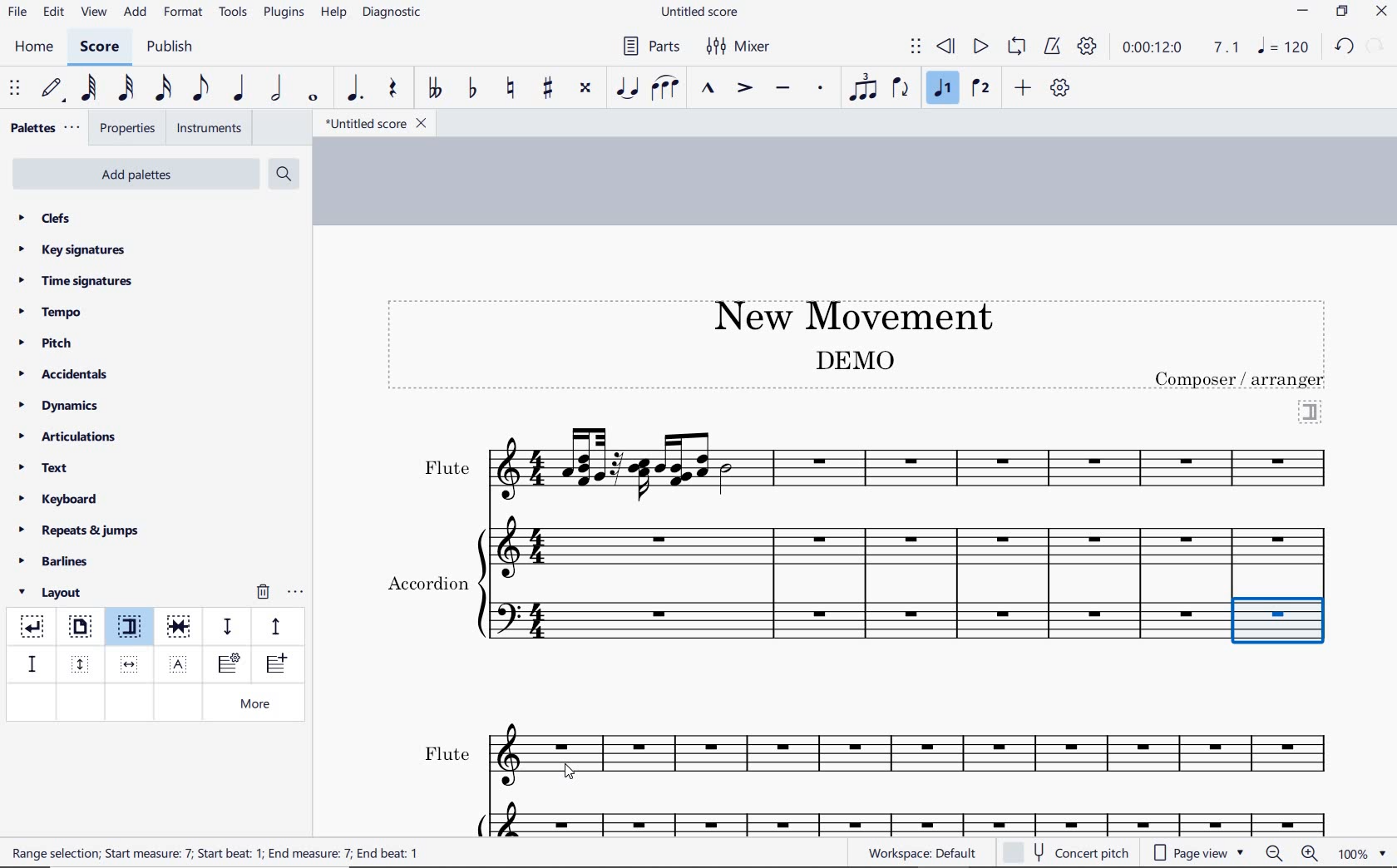  What do you see at coordinates (860, 87) in the screenshot?
I see `tuplet` at bounding box center [860, 87].